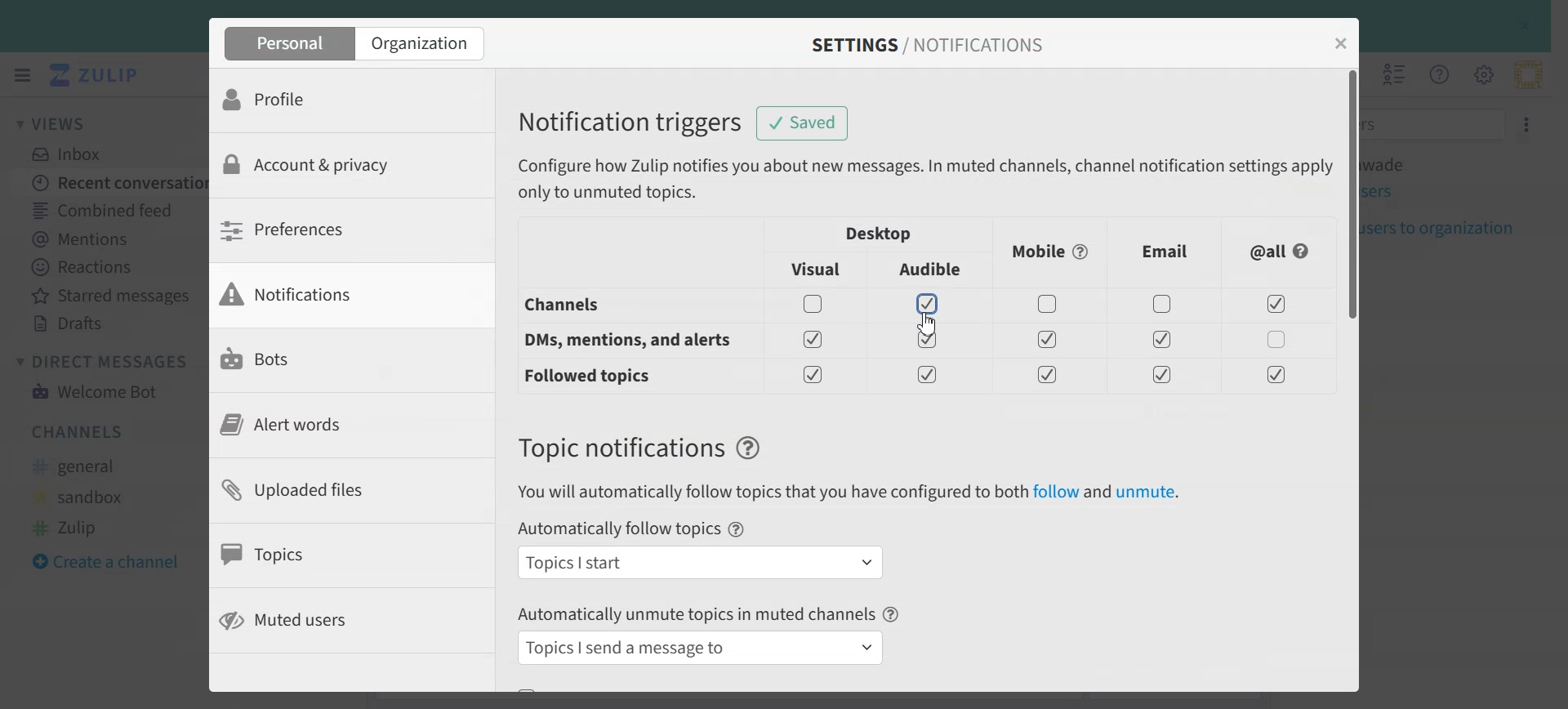  Describe the element at coordinates (330, 295) in the screenshot. I see `Notifications` at that location.